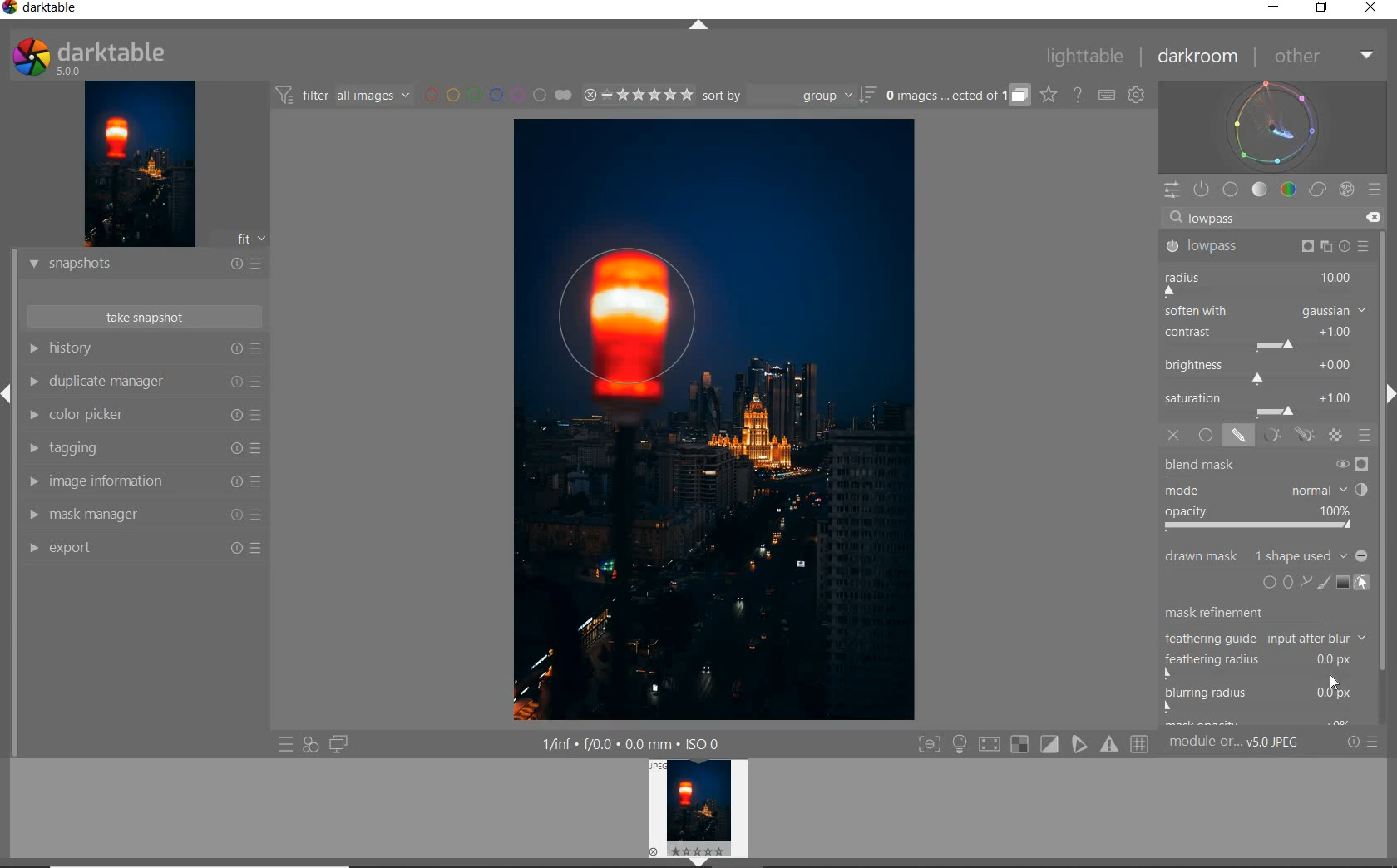 The image size is (1397, 868). What do you see at coordinates (8, 391) in the screenshot?
I see `EXPAND/COLLAPSE` at bounding box center [8, 391].